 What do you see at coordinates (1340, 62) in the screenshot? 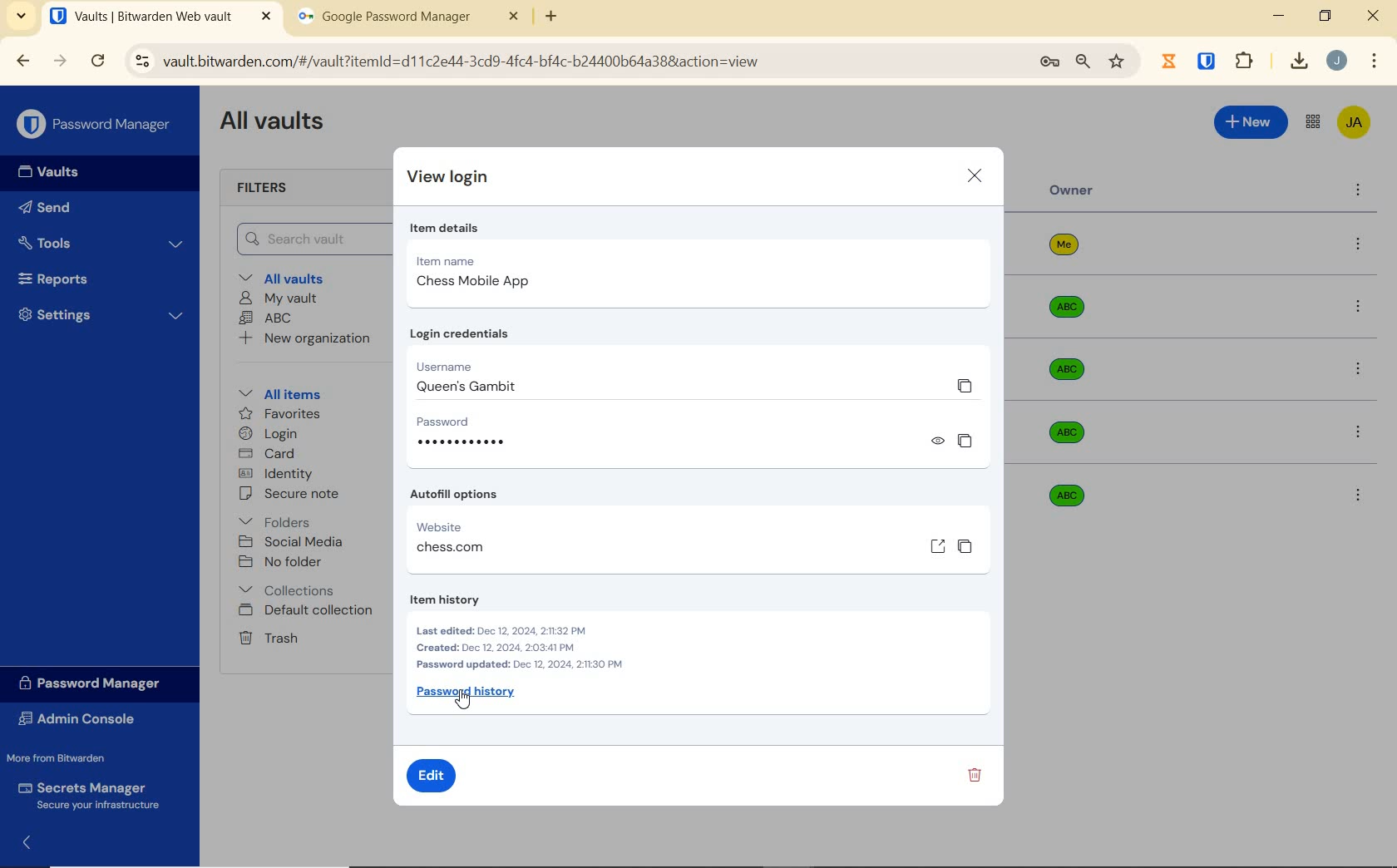
I see `Account` at bounding box center [1340, 62].